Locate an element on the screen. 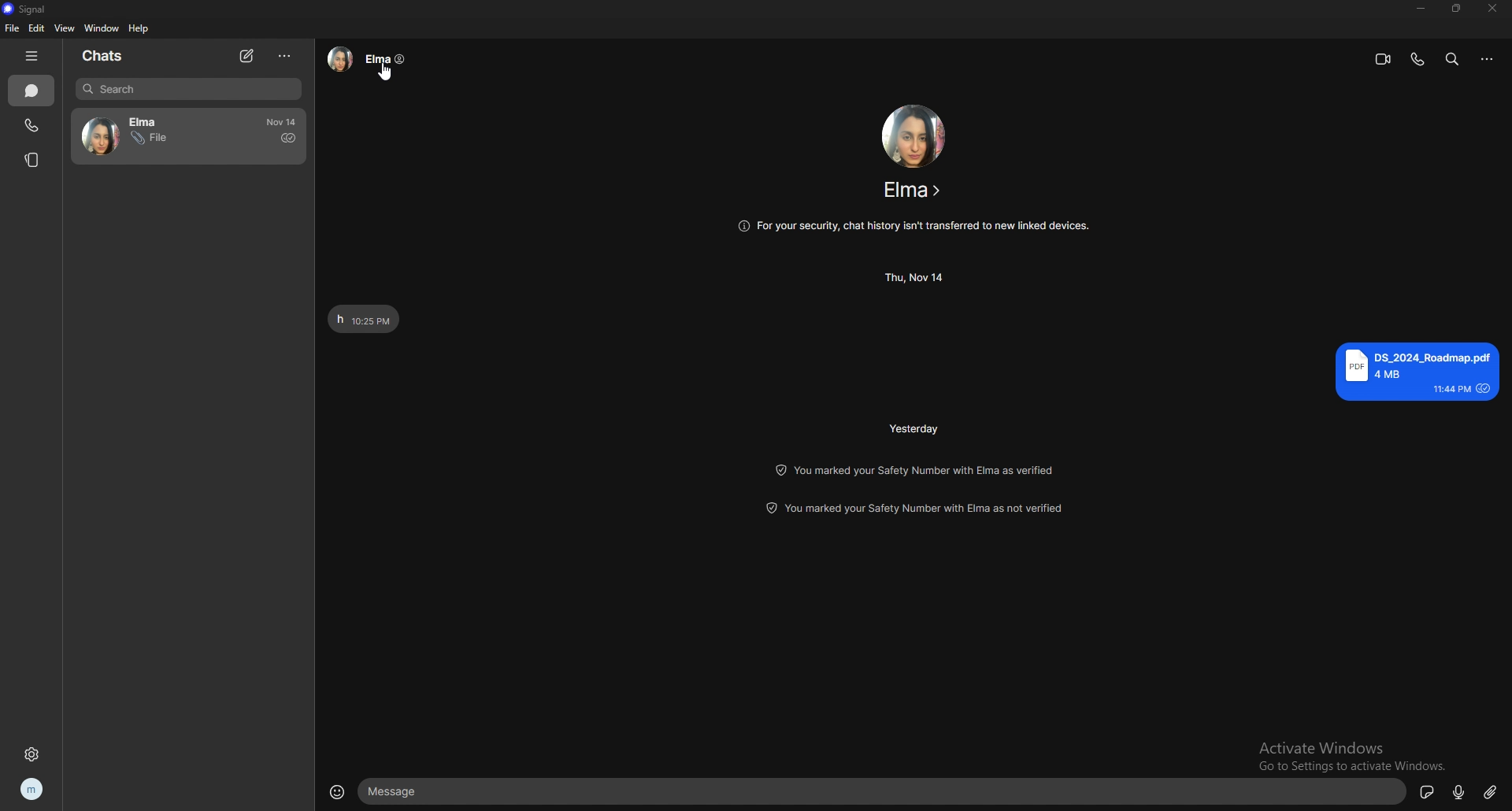 This screenshot has height=811, width=1512. date is located at coordinates (283, 122).